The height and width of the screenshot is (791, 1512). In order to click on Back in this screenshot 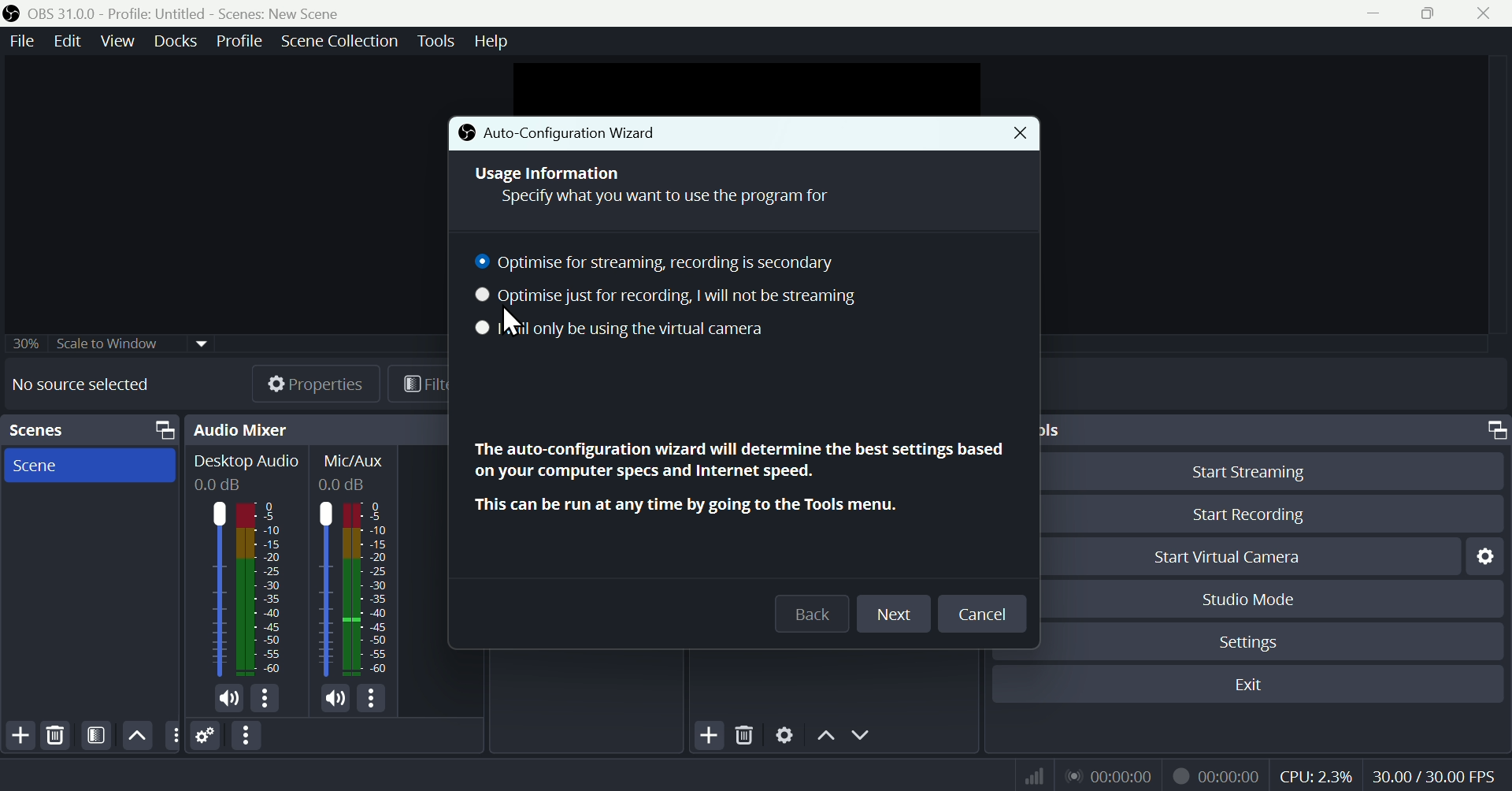, I will do `click(812, 614)`.